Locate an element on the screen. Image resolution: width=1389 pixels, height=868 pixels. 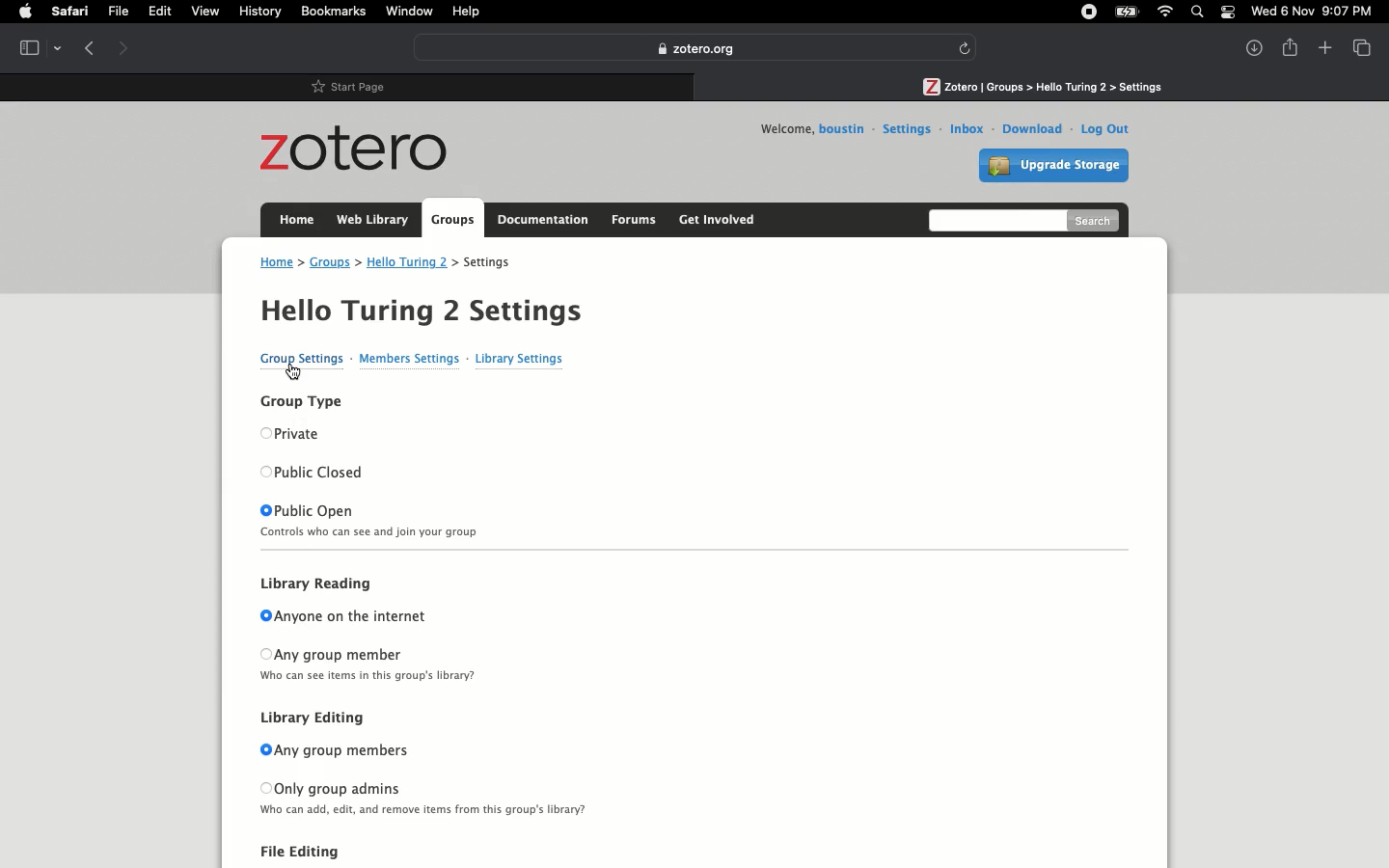
Search is located at coordinates (1198, 12).